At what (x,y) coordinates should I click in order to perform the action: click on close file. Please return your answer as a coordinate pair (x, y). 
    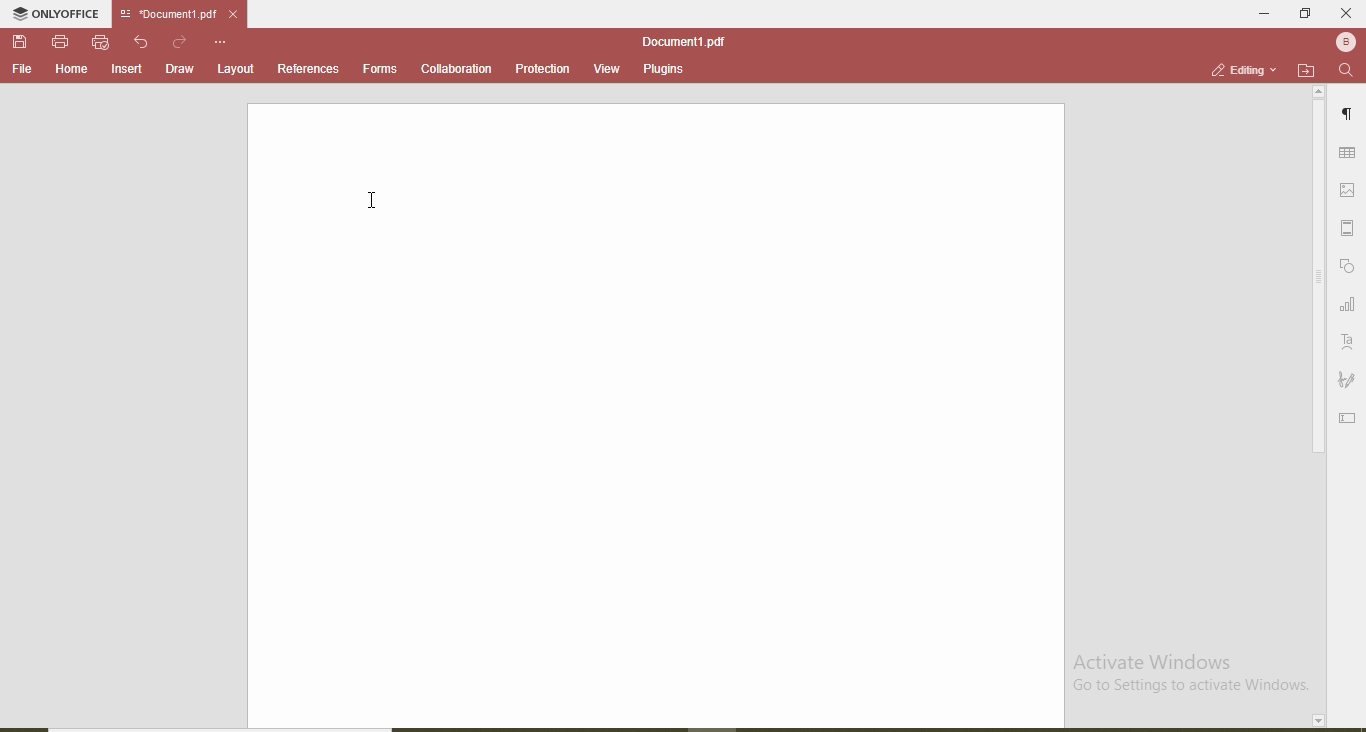
    Looking at the image, I should click on (240, 14).